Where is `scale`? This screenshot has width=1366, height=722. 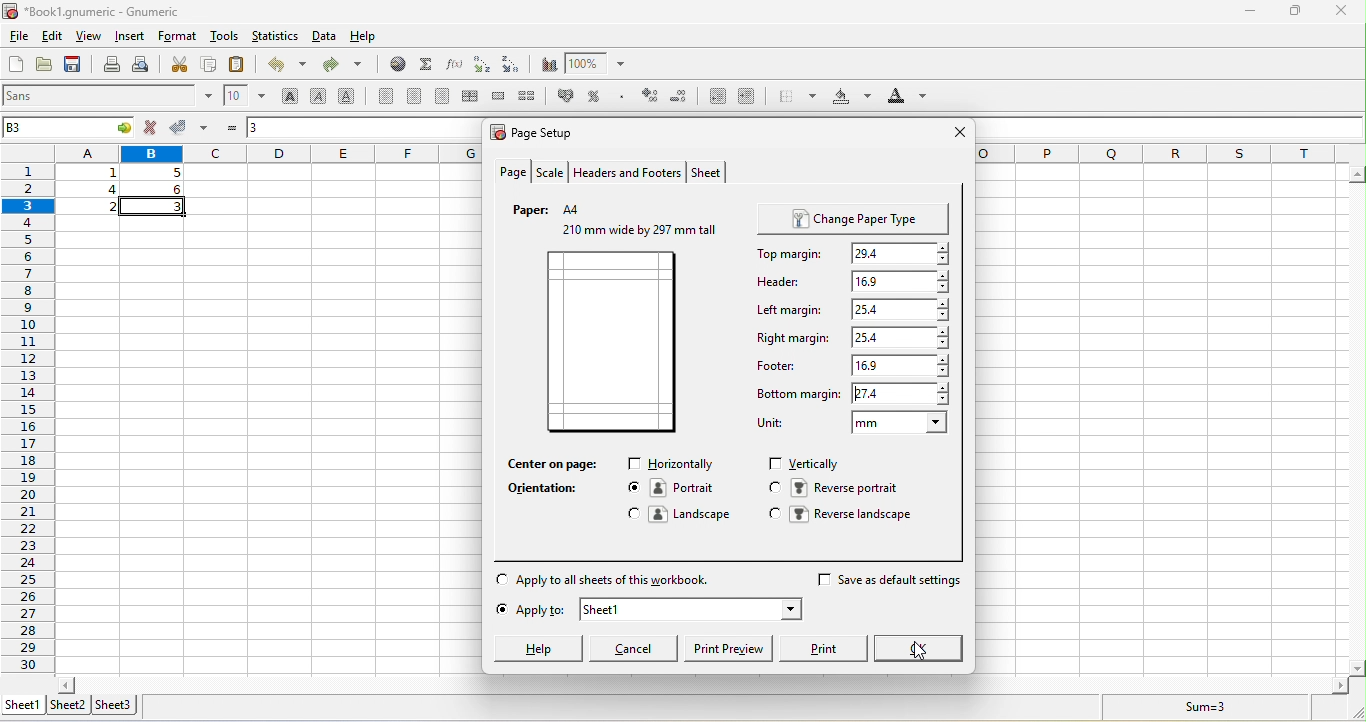 scale is located at coordinates (550, 172).